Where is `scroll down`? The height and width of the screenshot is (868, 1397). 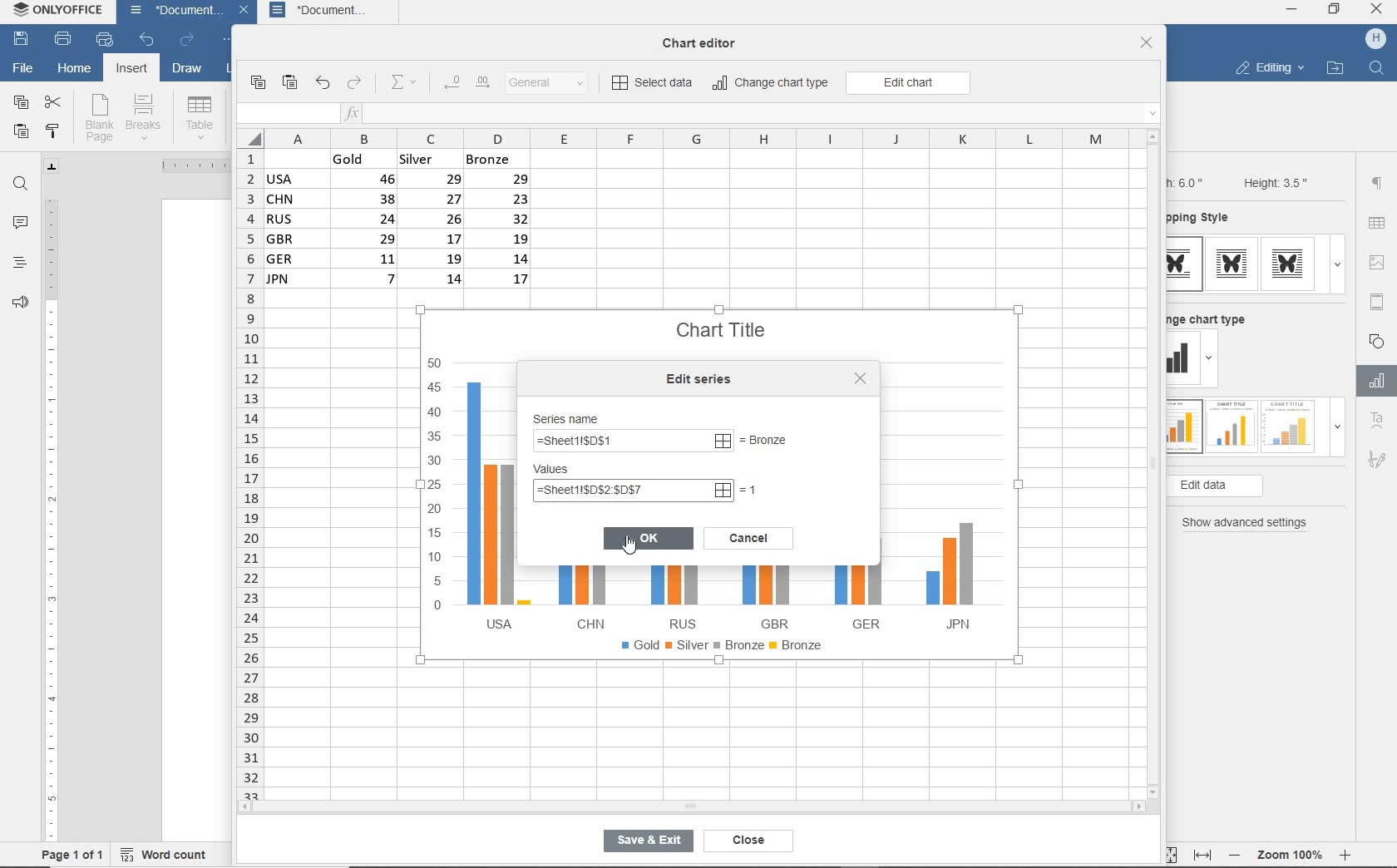
scroll down is located at coordinates (1154, 791).